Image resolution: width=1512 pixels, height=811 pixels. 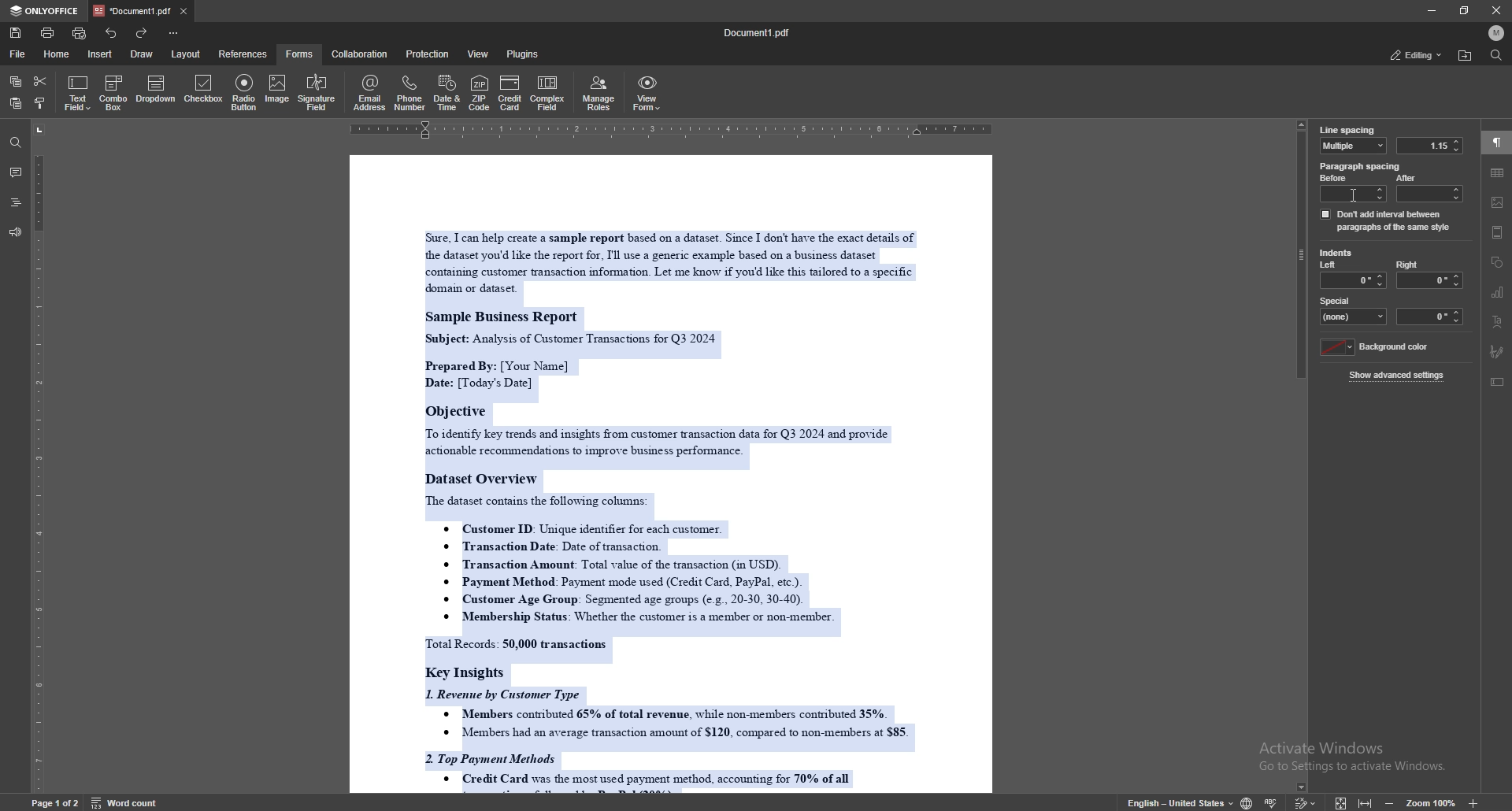 What do you see at coordinates (1366, 799) in the screenshot?
I see `fit to width` at bounding box center [1366, 799].